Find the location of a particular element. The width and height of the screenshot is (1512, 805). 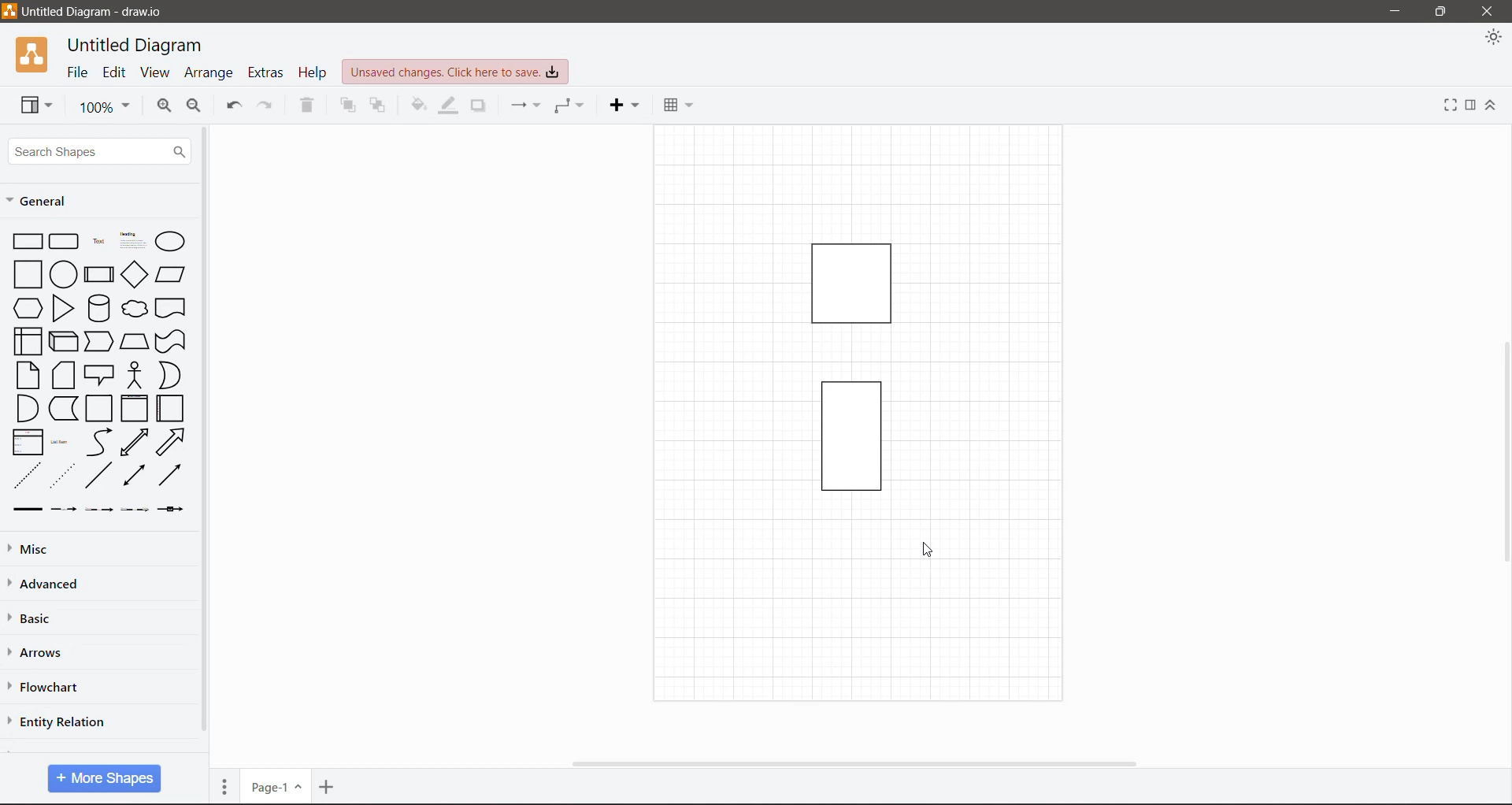

Pages is located at coordinates (225, 785).